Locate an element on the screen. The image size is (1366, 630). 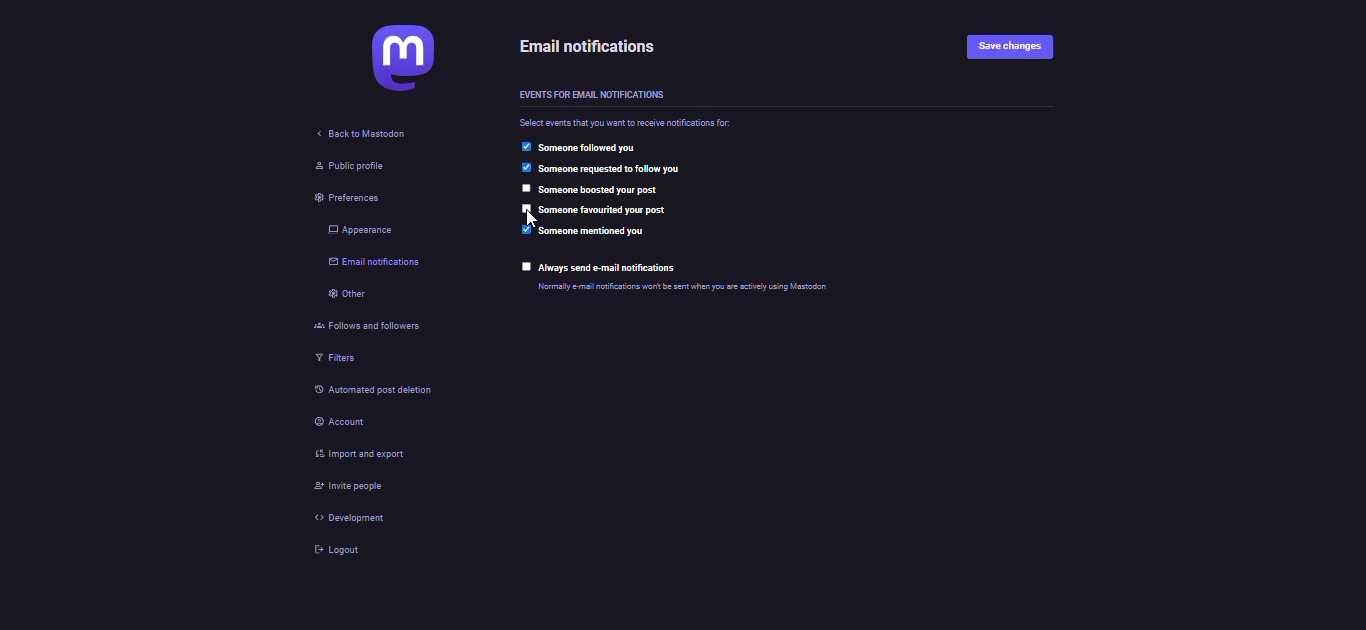
someone favorited your post is located at coordinates (607, 210).